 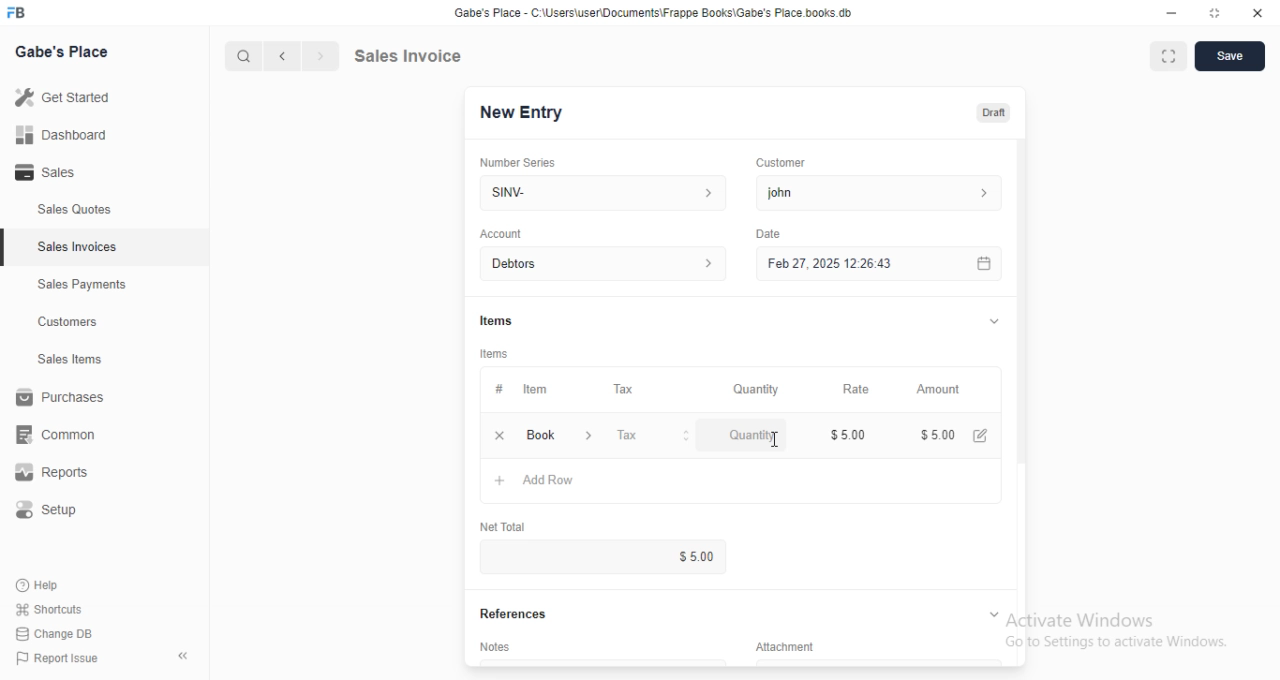 What do you see at coordinates (525, 160) in the screenshot?
I see `Number Series` at bounding box center [525, 160].